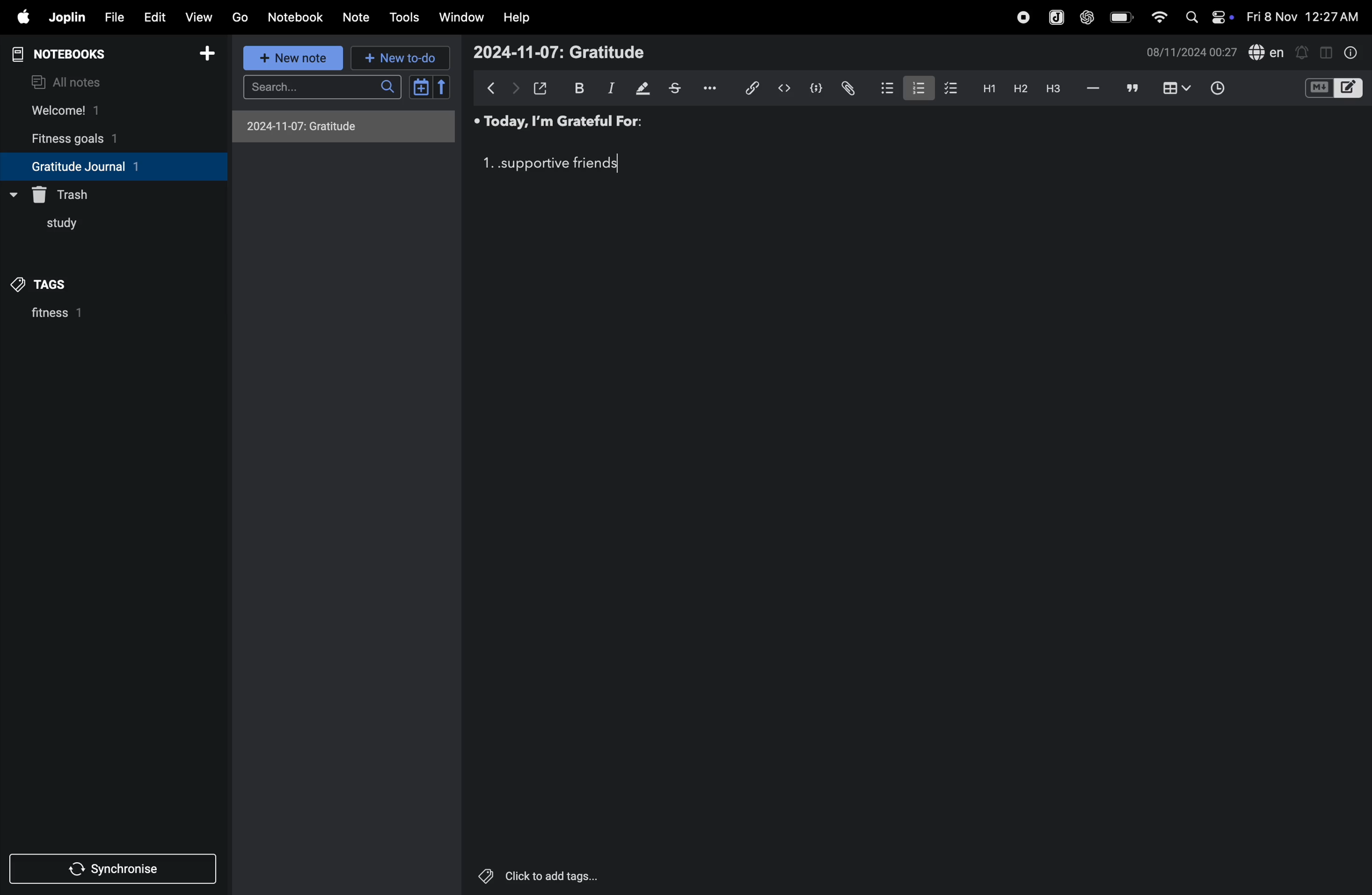  Describe the element at coordinates (533, 873) in the screenshot. I see `click to add tags` at that location.